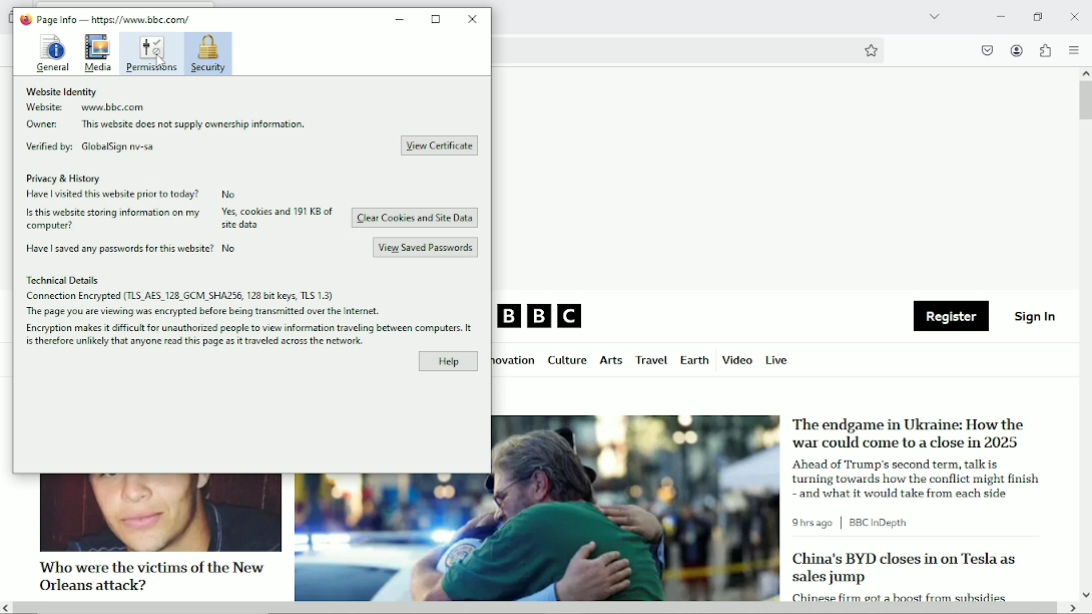 This screenshot has width=1092, height=614. I want to click on View Saved Passwords, so click(425, 247).